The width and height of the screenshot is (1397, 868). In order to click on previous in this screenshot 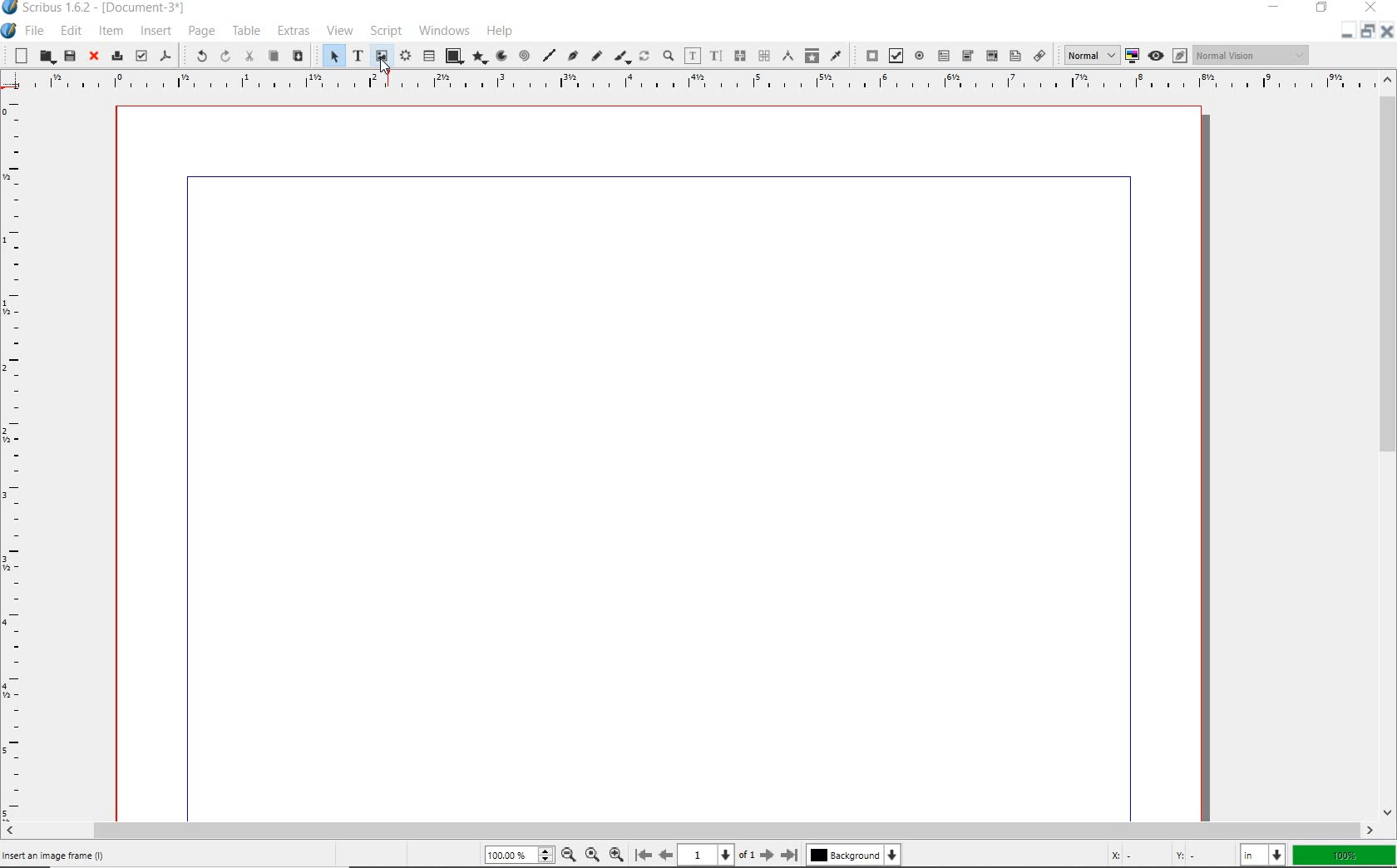, I will do `click(667, 856)`.